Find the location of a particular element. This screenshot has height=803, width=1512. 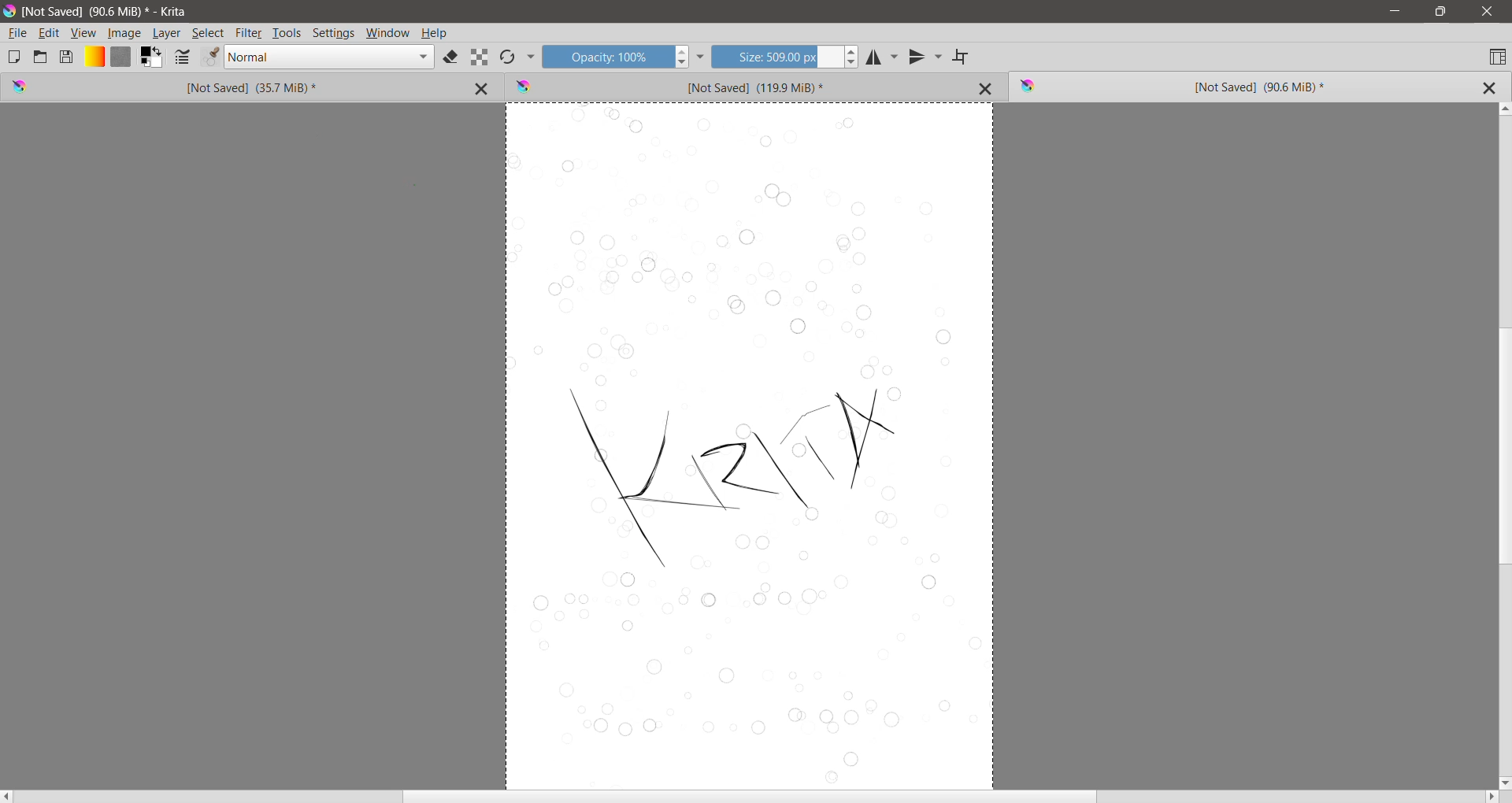

Select is located at coordinates (209, 33).